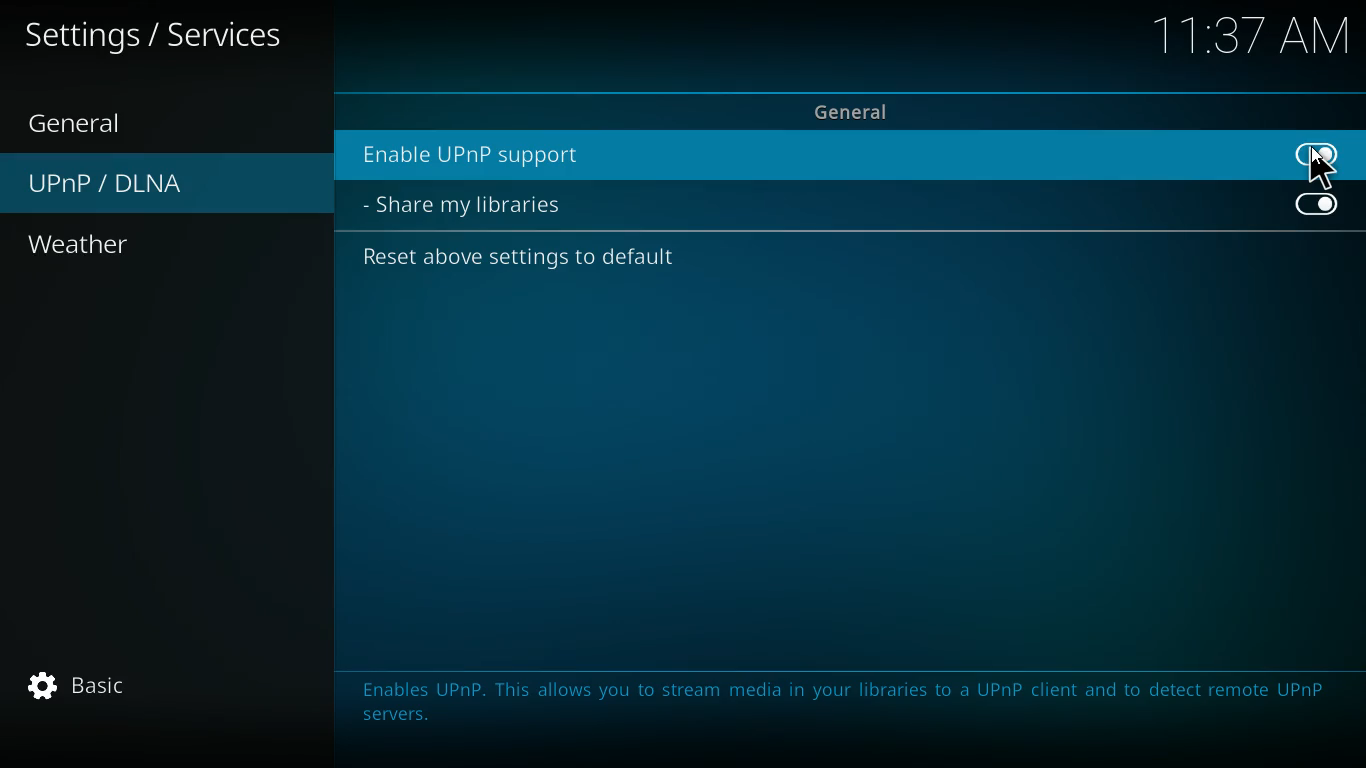  I want to click on on, so click(1326, 156).